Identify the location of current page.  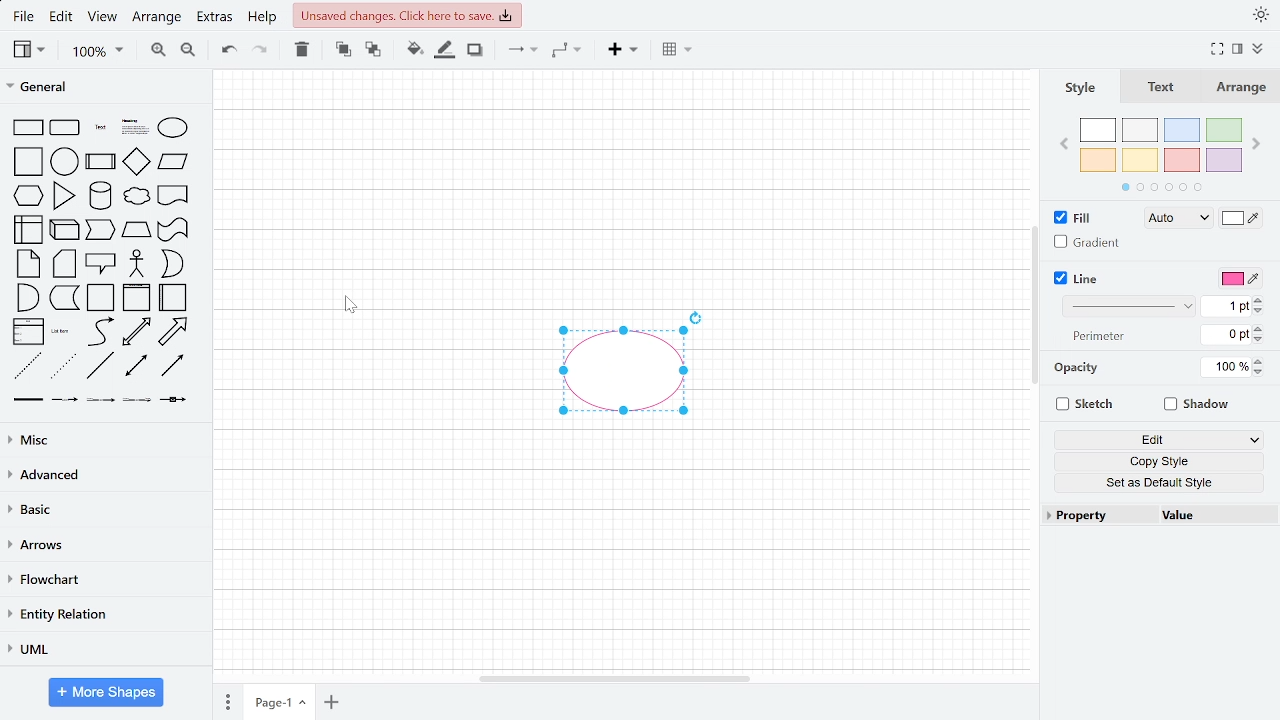
(278, 703).